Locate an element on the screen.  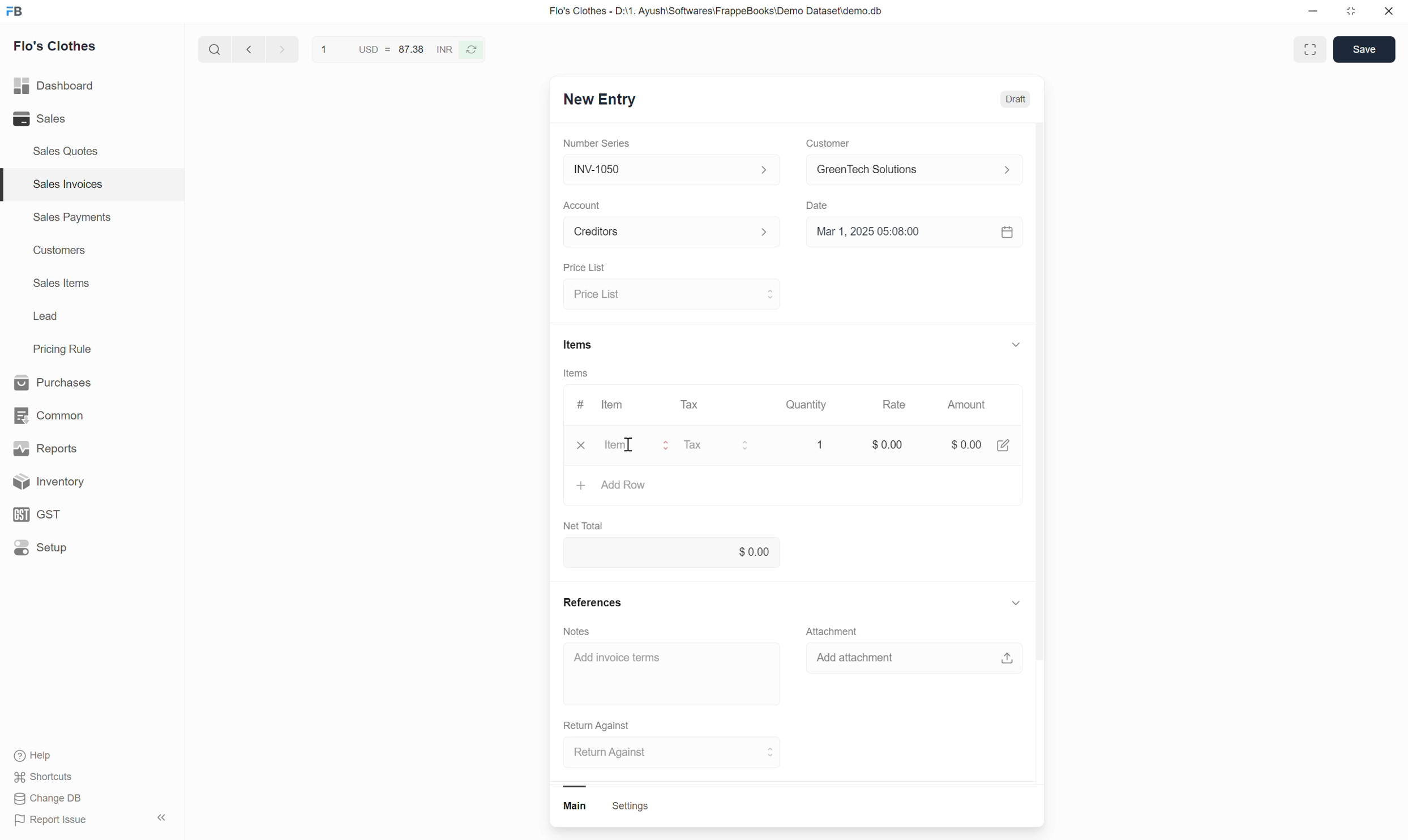
Draft is located at coordinates (1015, 100).